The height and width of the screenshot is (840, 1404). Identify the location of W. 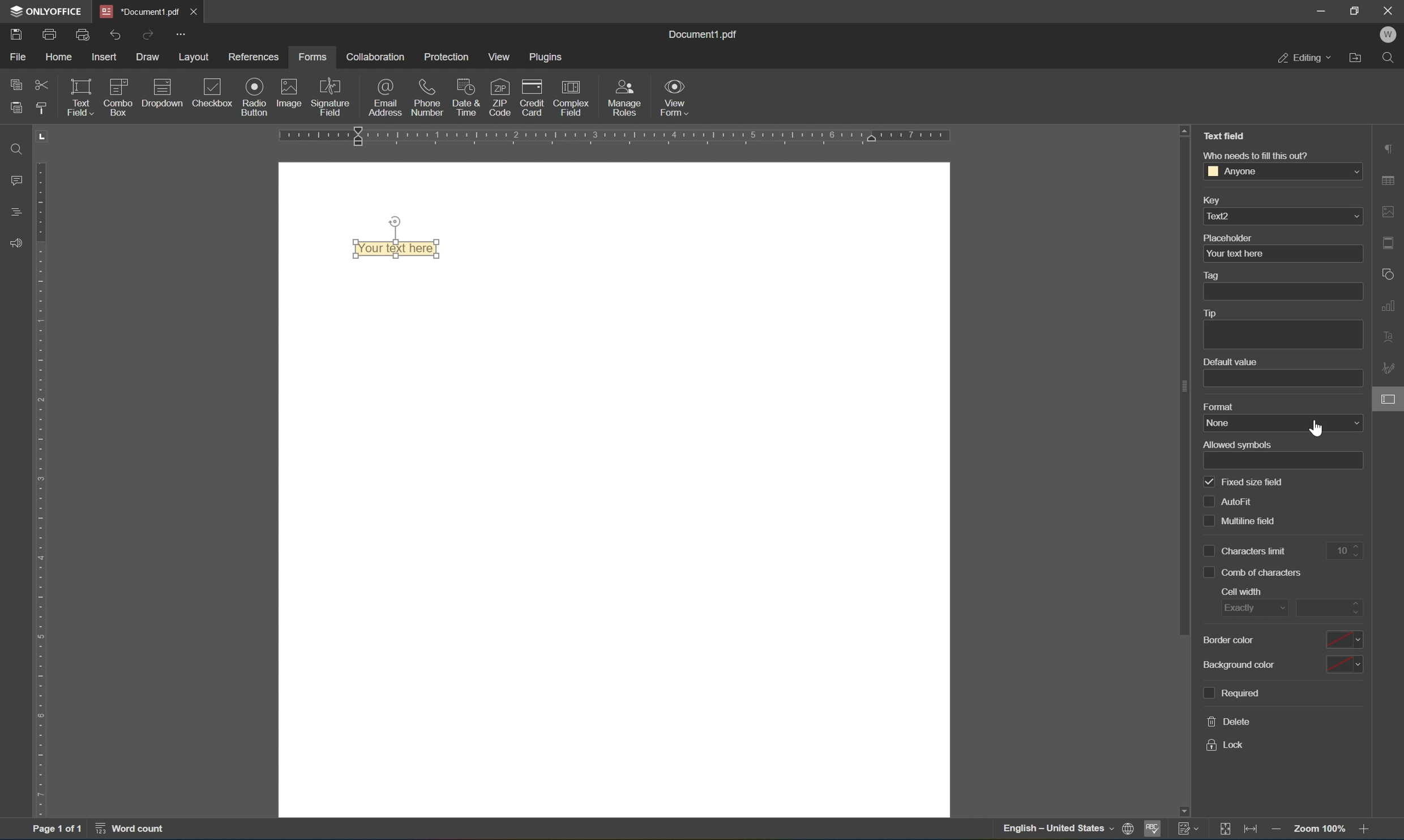
(1390, 34).